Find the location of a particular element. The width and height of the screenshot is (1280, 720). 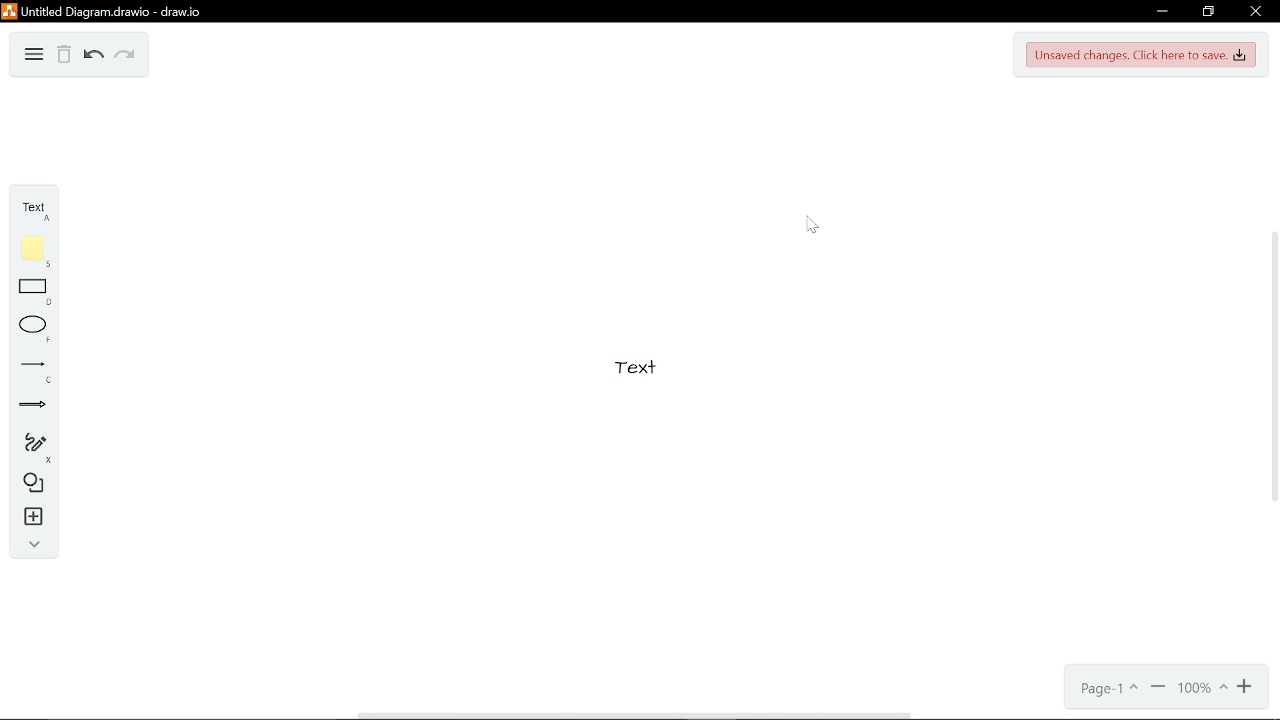

Note is located at coordinates (28, 251).